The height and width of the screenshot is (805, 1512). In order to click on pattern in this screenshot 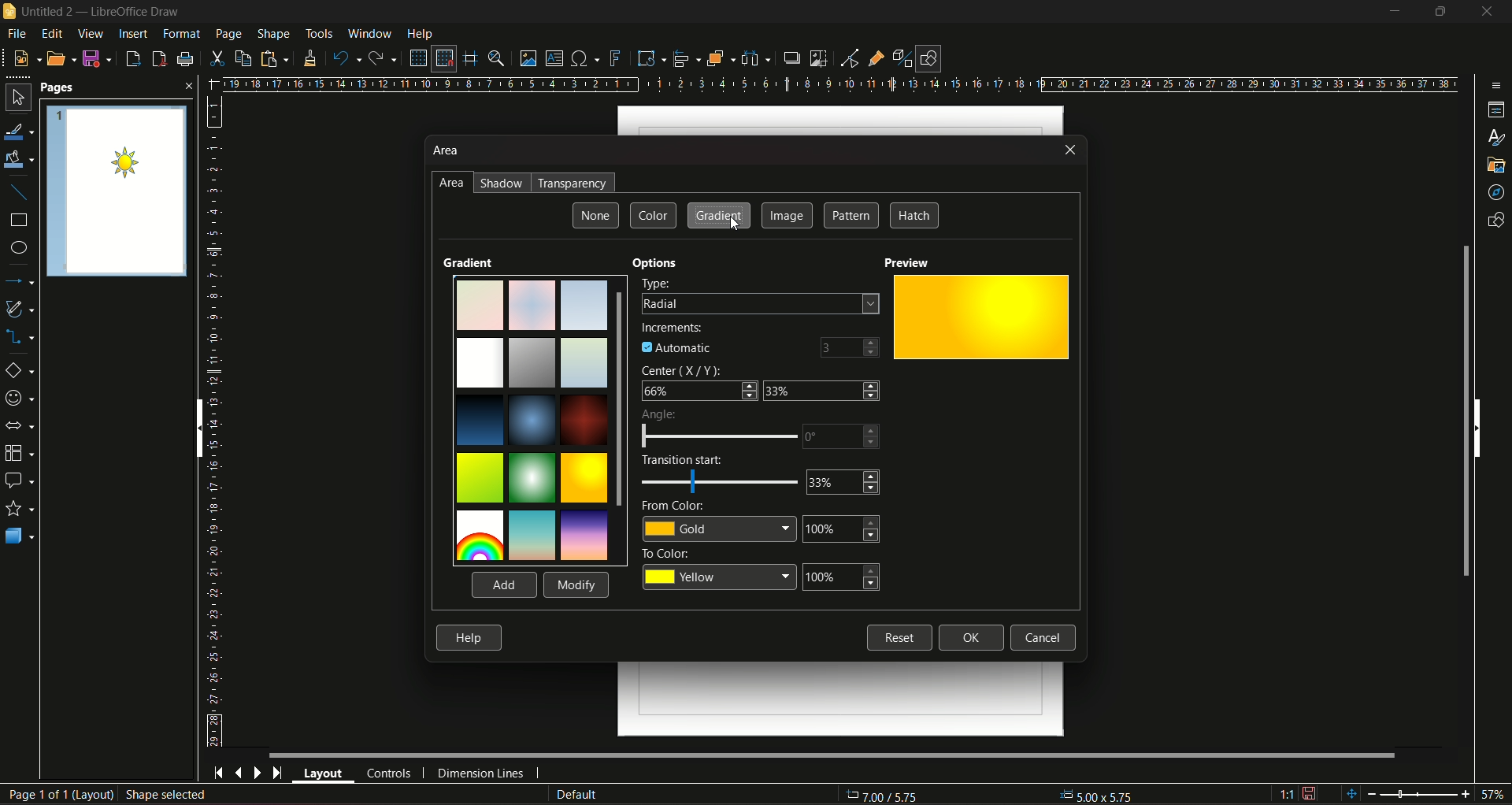, I will do `click(851, 215)`.